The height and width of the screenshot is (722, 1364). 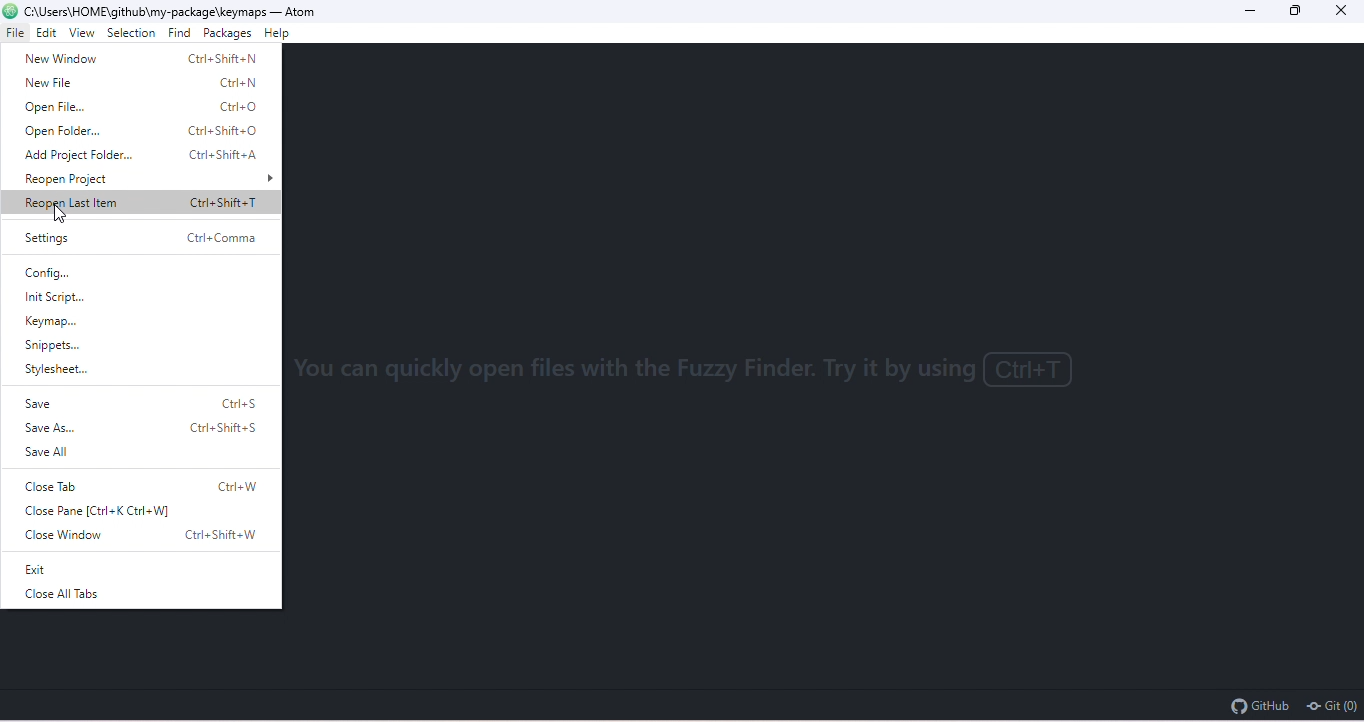 What do you see at coordinates (147, 178) in the screenshot?
I see `reopen project` at bounding box center [147, 178].